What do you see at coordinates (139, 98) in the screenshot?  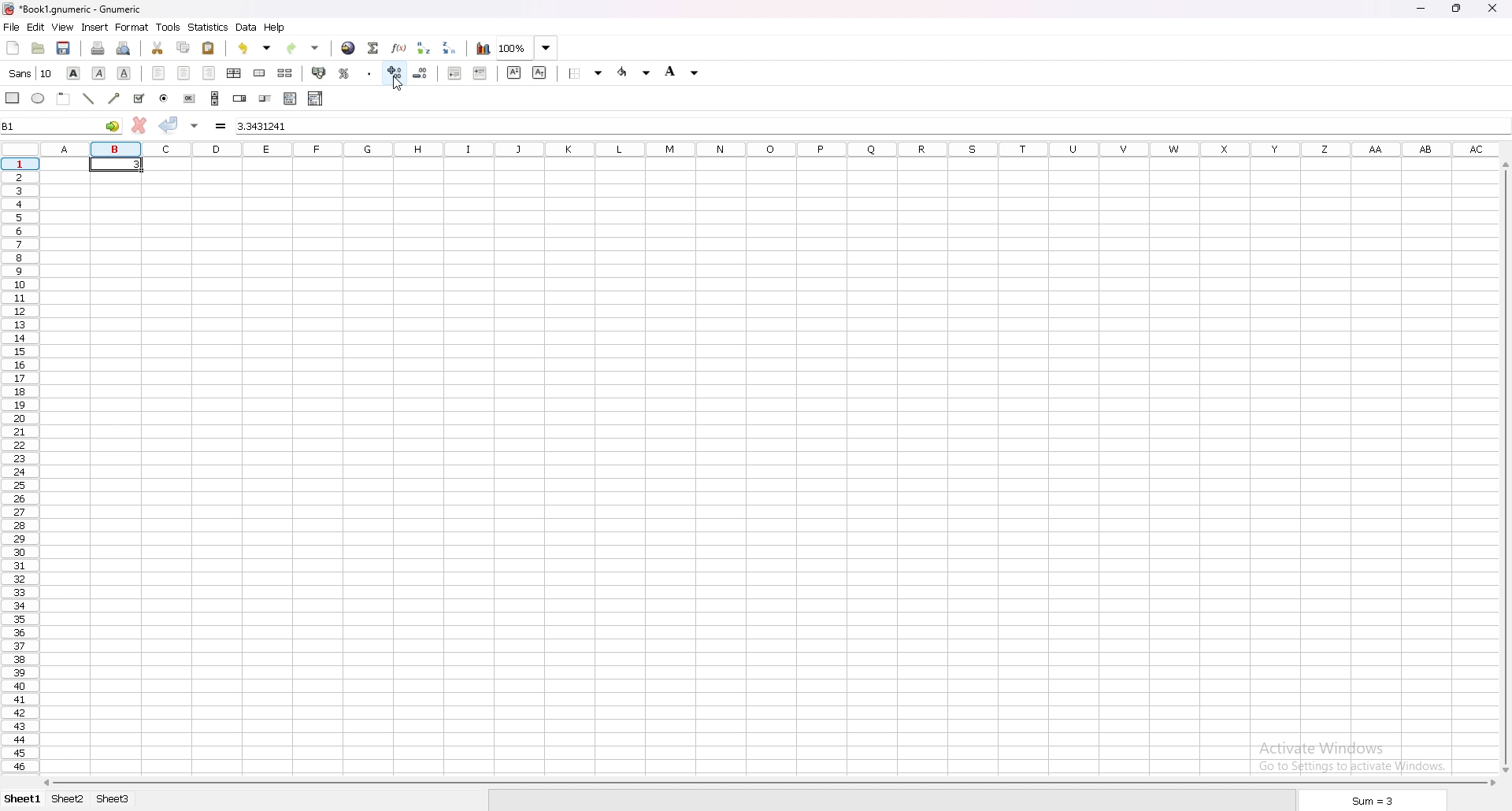 I see `tickbox` at bounding box center [139, 98].